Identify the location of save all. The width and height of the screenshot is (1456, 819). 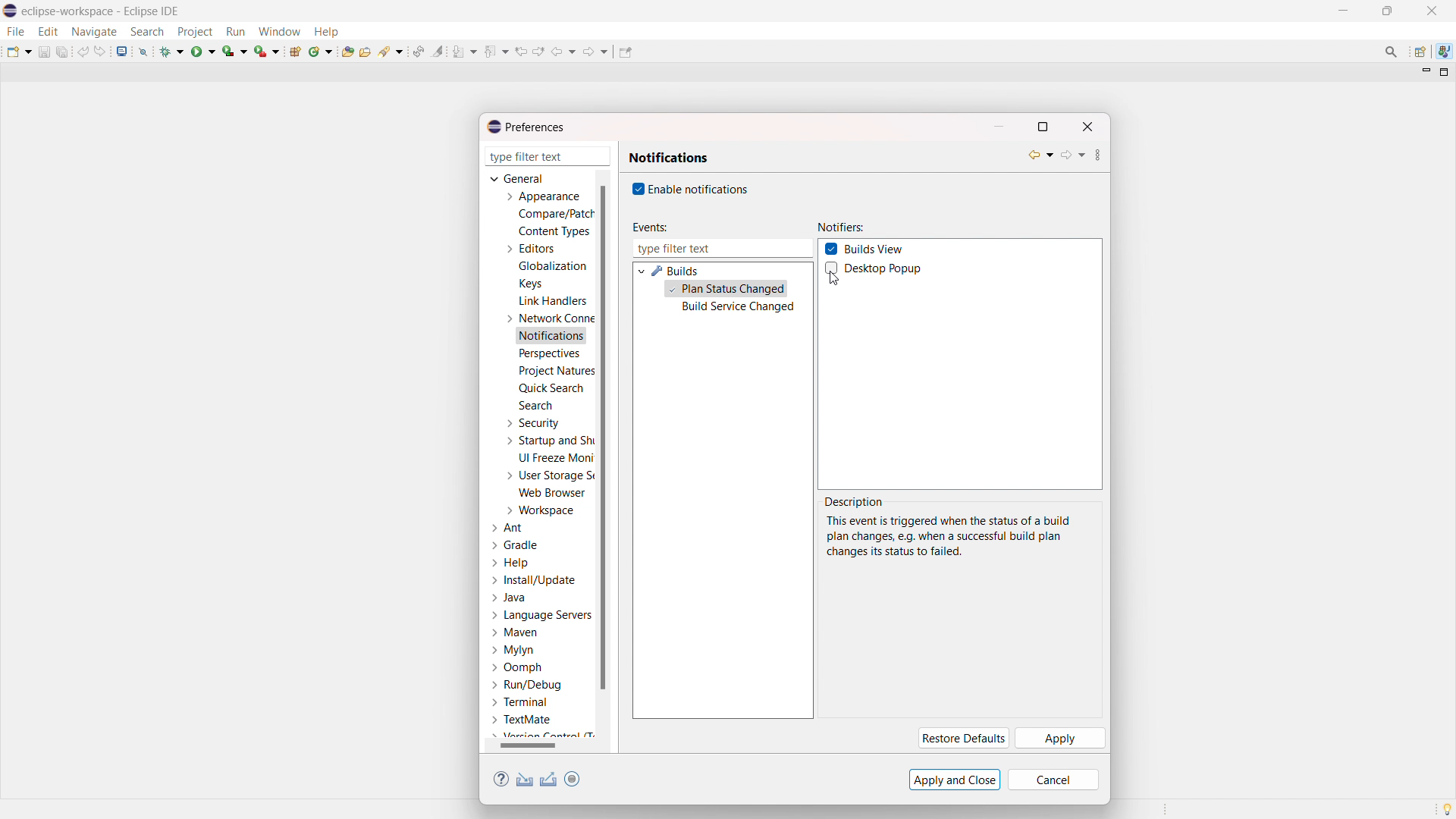
(64, 51).